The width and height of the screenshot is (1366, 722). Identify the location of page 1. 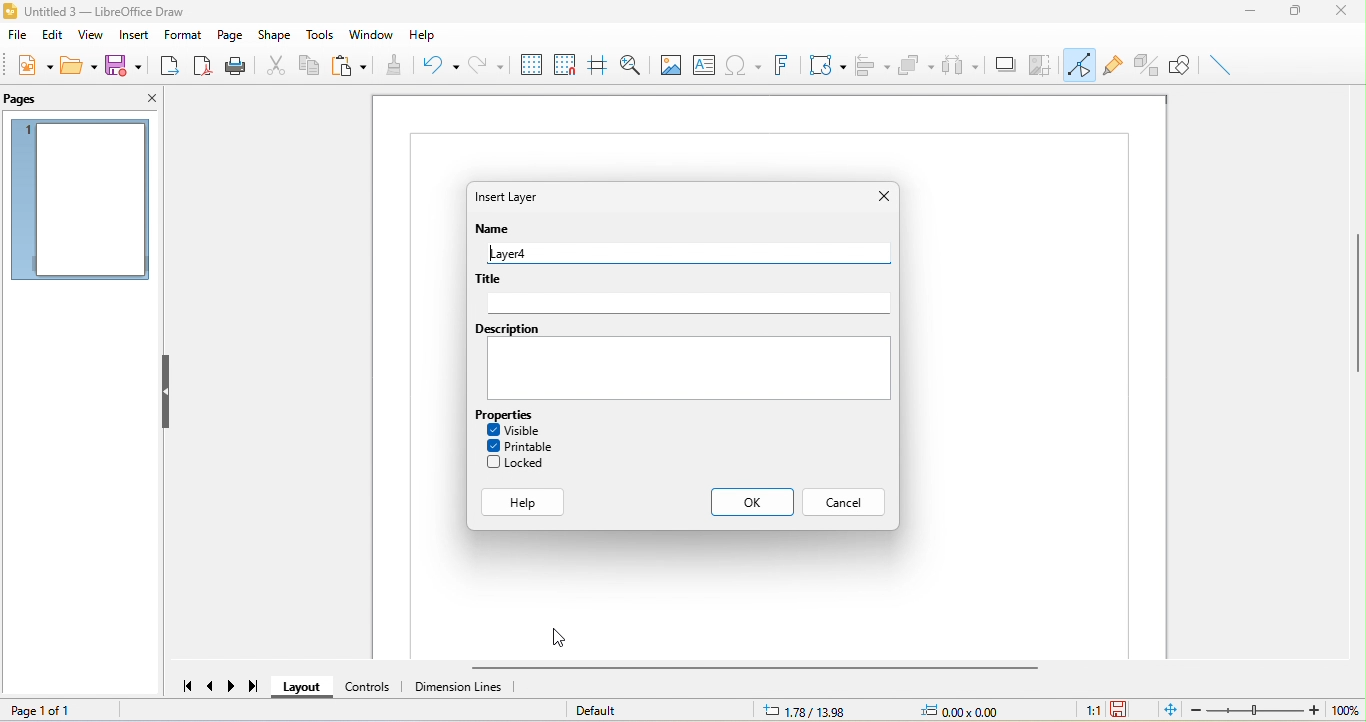
(85, 201).